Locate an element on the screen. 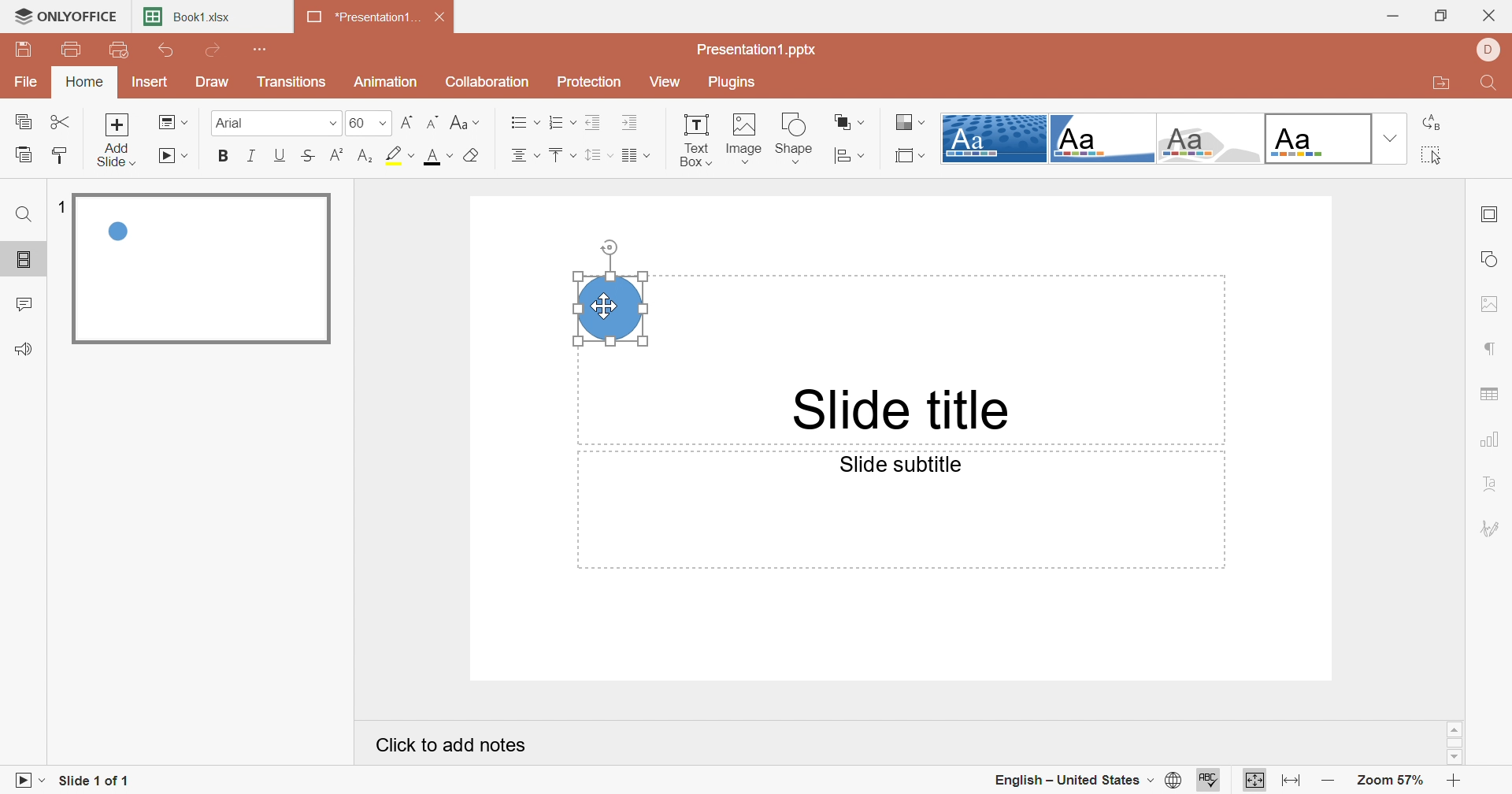 The height and width of the screenshot is (794, 1512). Insert is located at coordinates (149, 80).